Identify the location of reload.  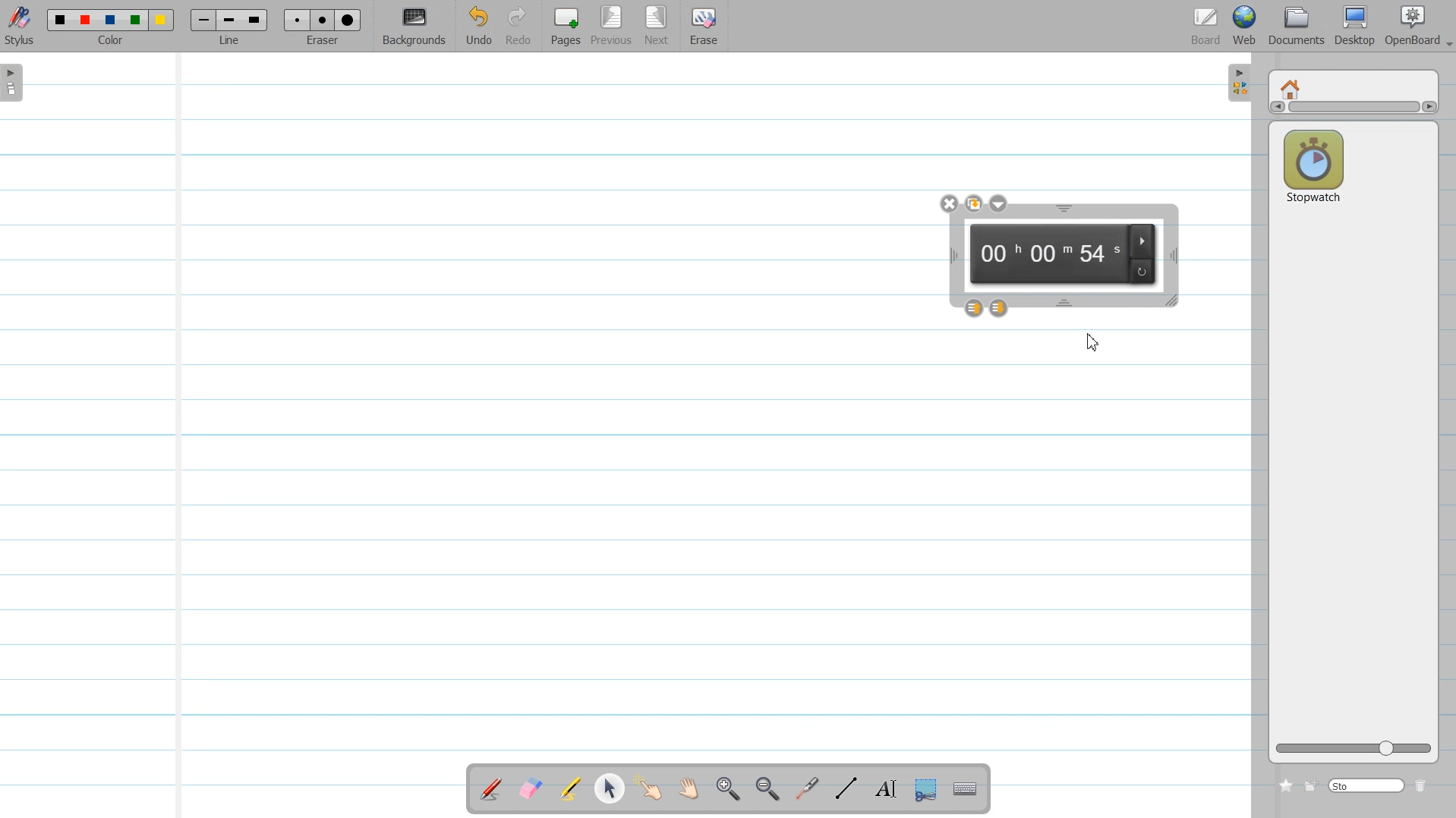
(1143, 271).